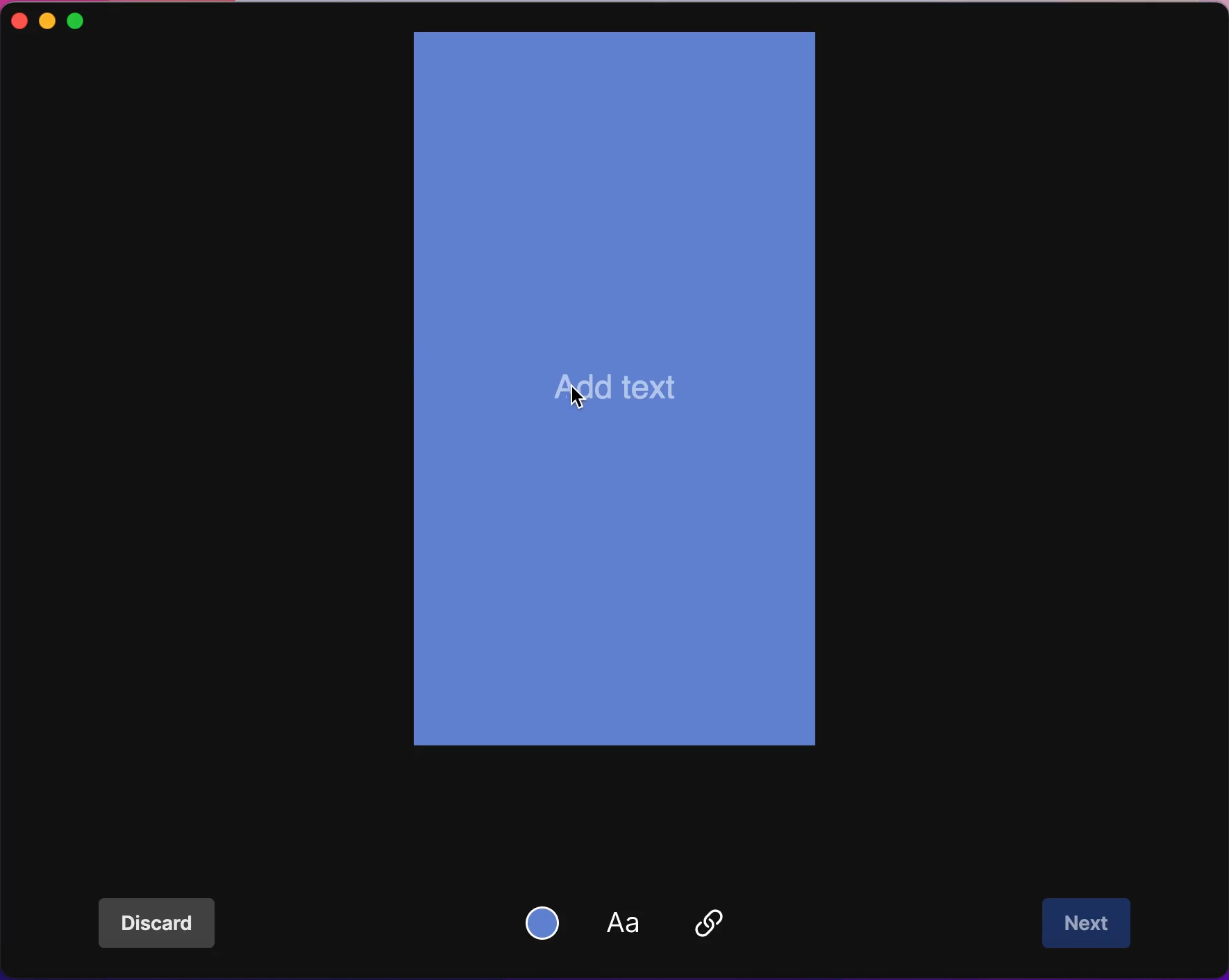 The image size is (1229, 980). I want to click on color, so click(546, 921).